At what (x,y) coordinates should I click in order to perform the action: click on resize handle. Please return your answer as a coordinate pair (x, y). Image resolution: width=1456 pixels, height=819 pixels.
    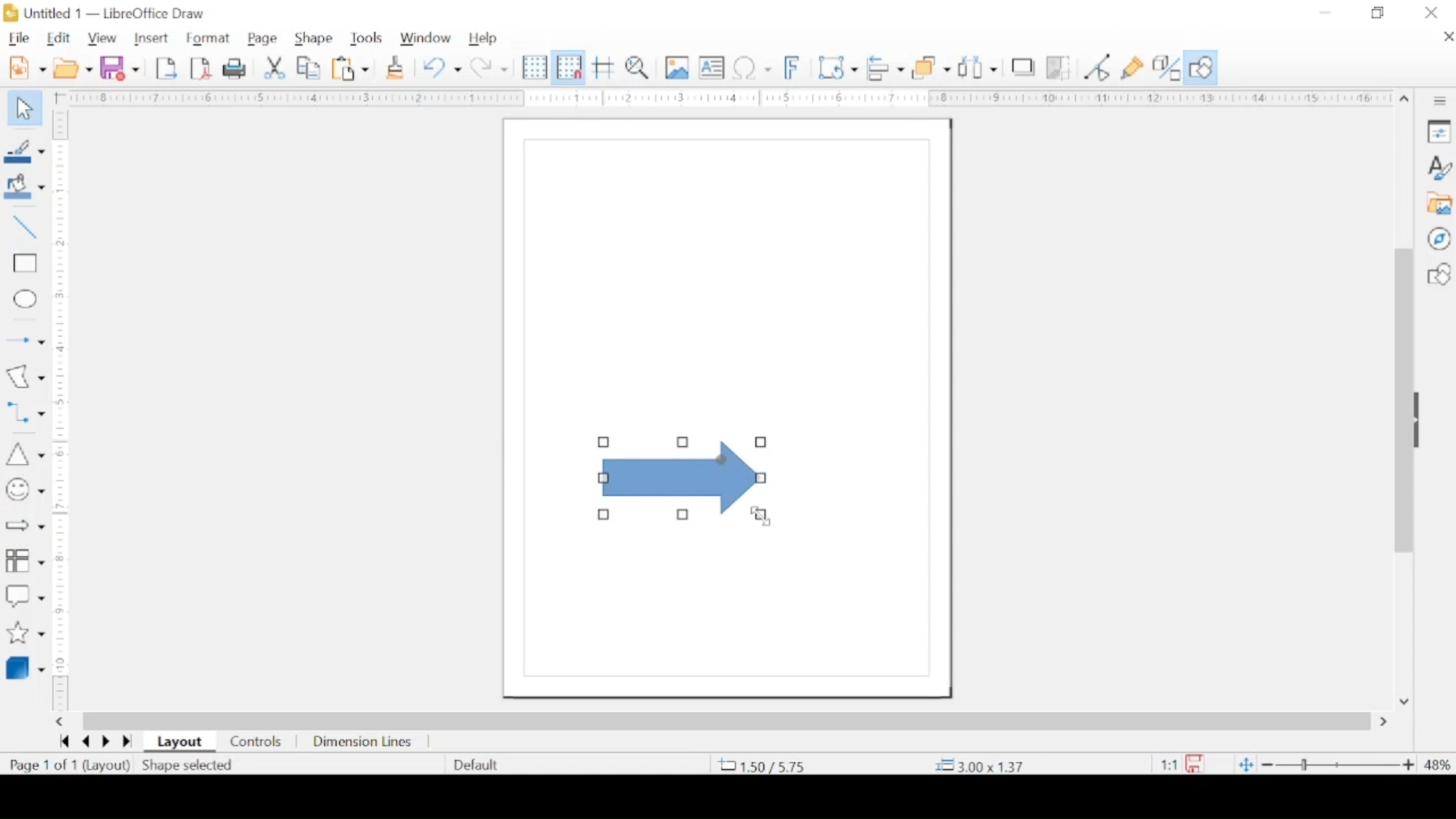
    Looking at the image, I should click on (604, 442).